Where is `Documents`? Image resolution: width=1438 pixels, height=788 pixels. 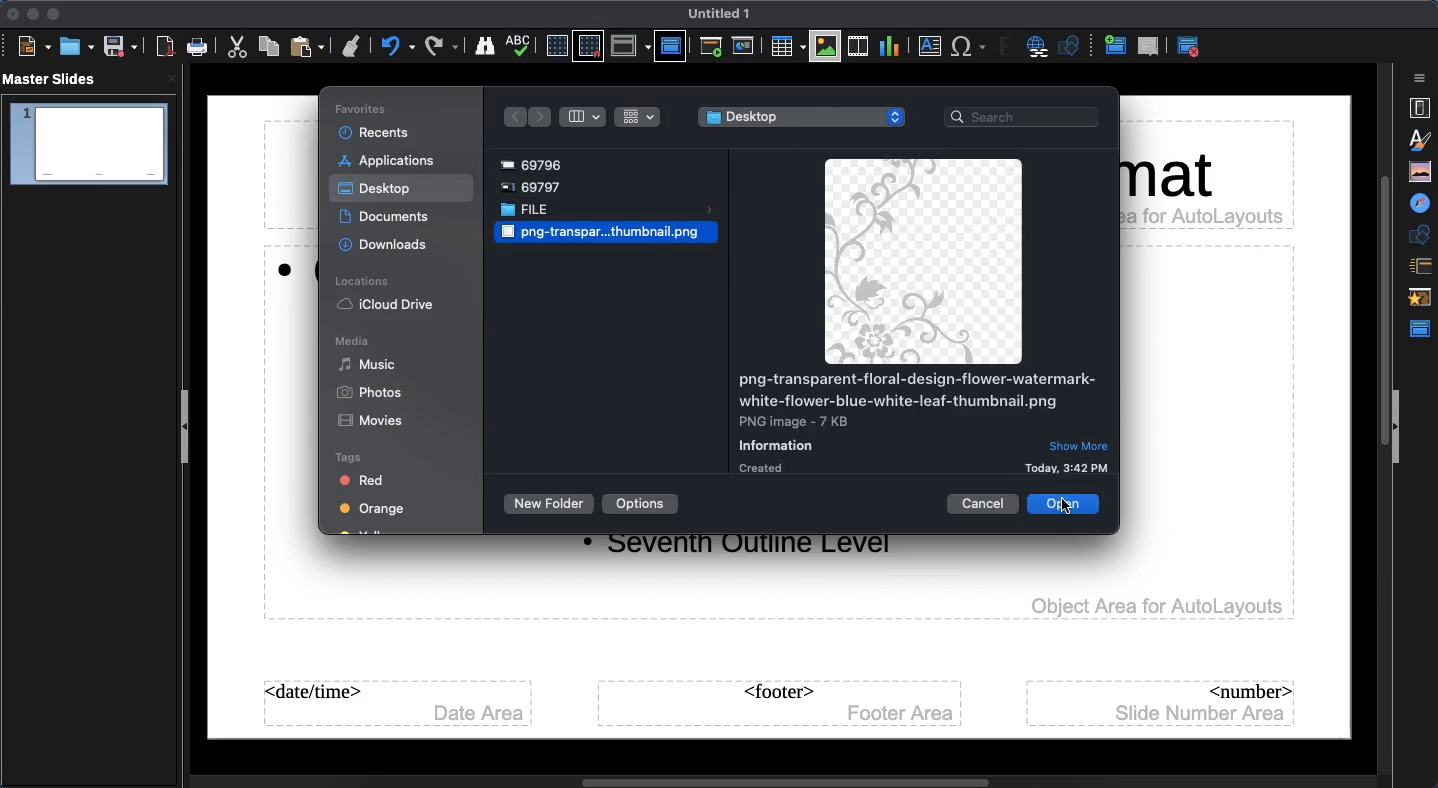
Documents is located at coordinates (387, 217).